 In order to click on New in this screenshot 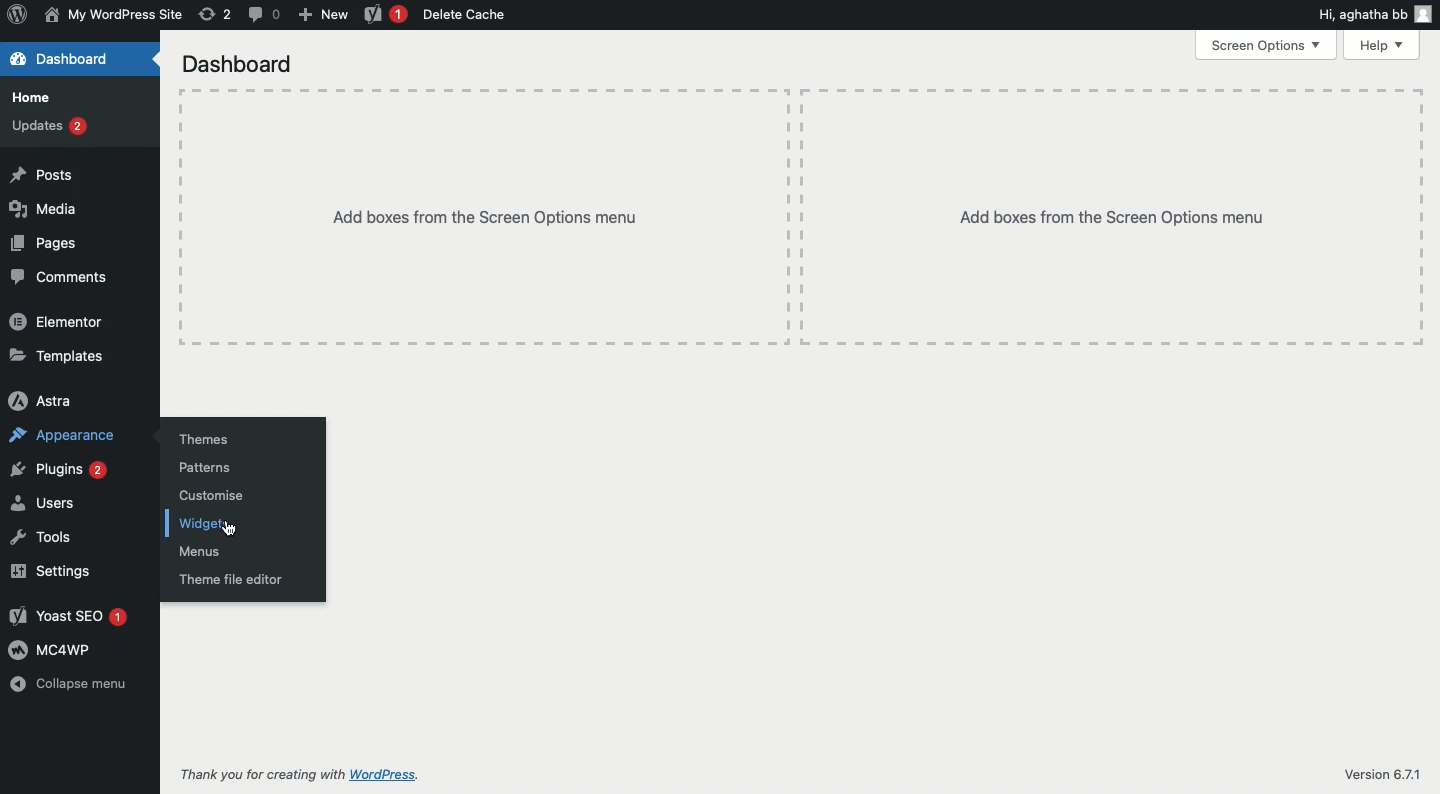, I will do `click(326, 15)`.